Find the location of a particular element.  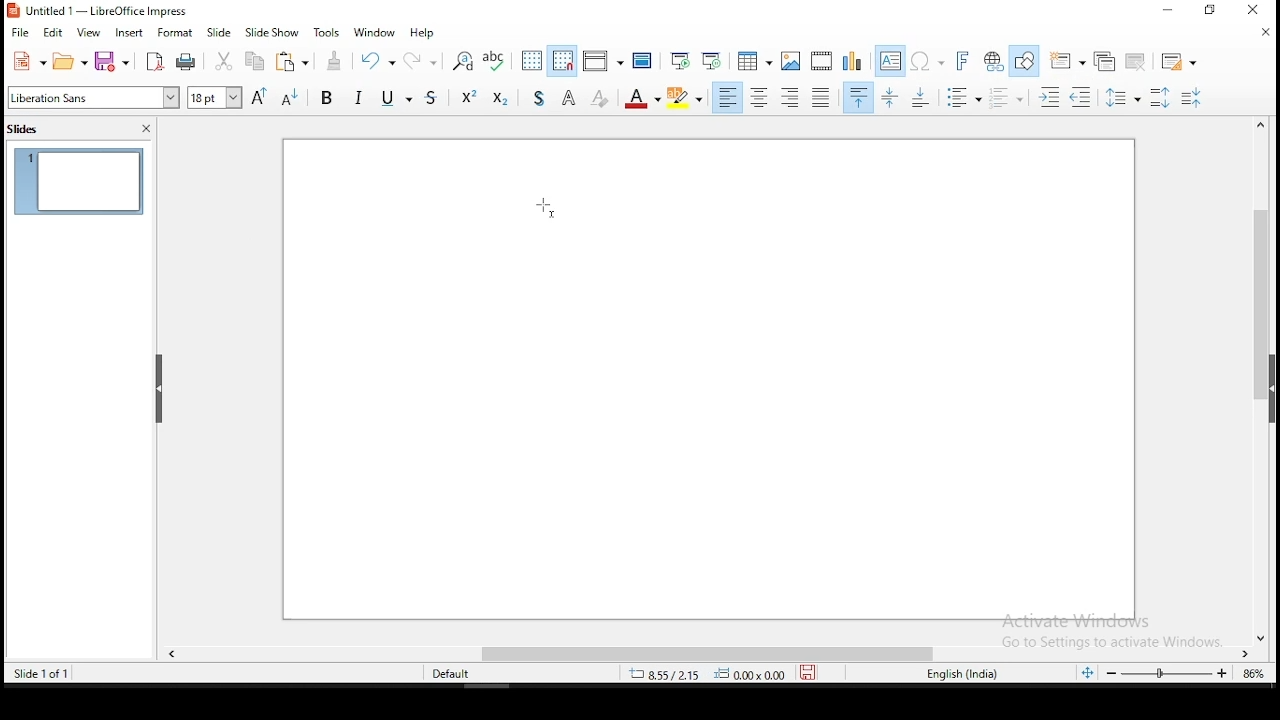

subscript is located at coordinates (502, 99).